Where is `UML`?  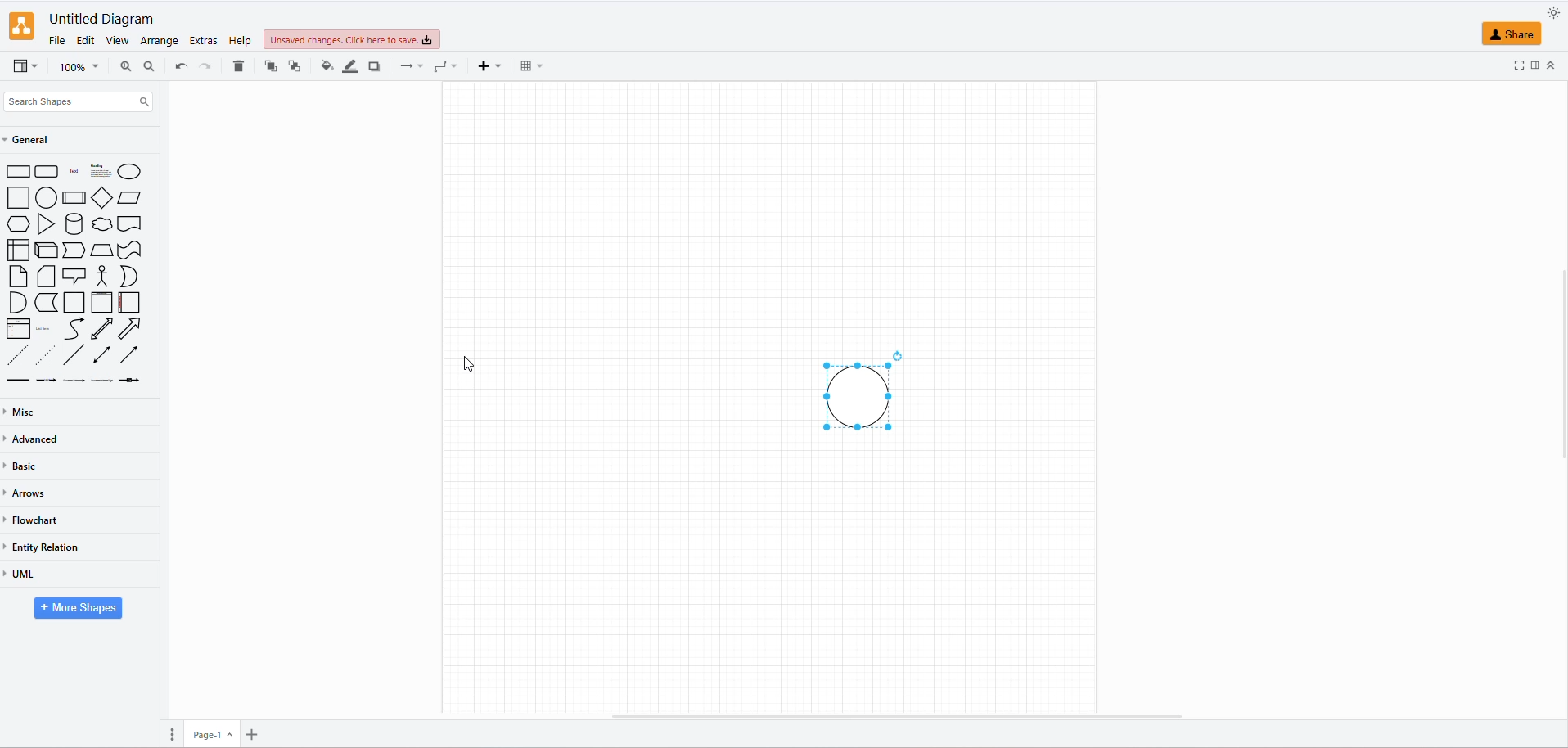
UML is located at coordinates (24, 574).